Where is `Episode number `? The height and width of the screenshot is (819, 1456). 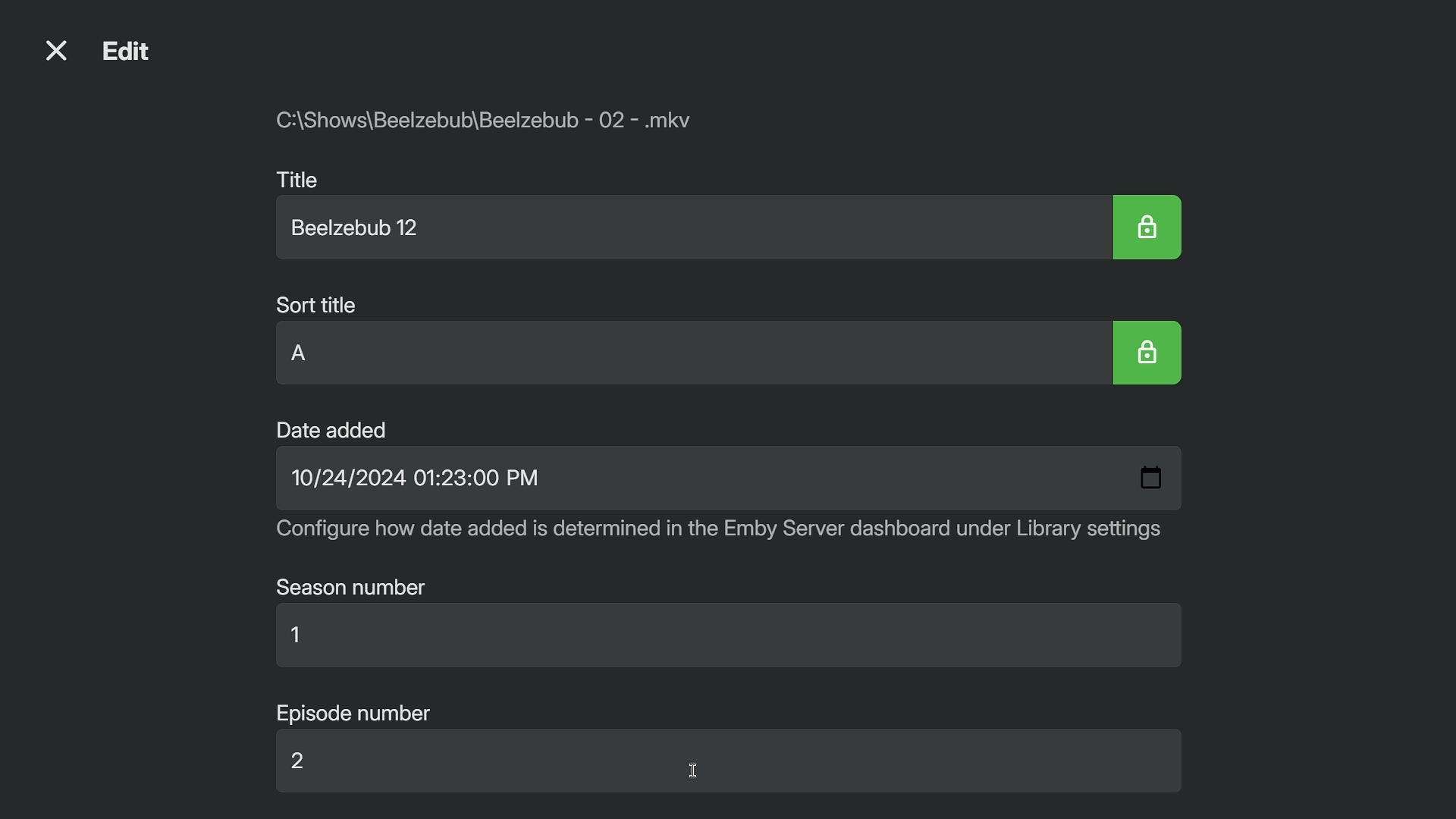 Episode number  is located at coordinates (356, 710).